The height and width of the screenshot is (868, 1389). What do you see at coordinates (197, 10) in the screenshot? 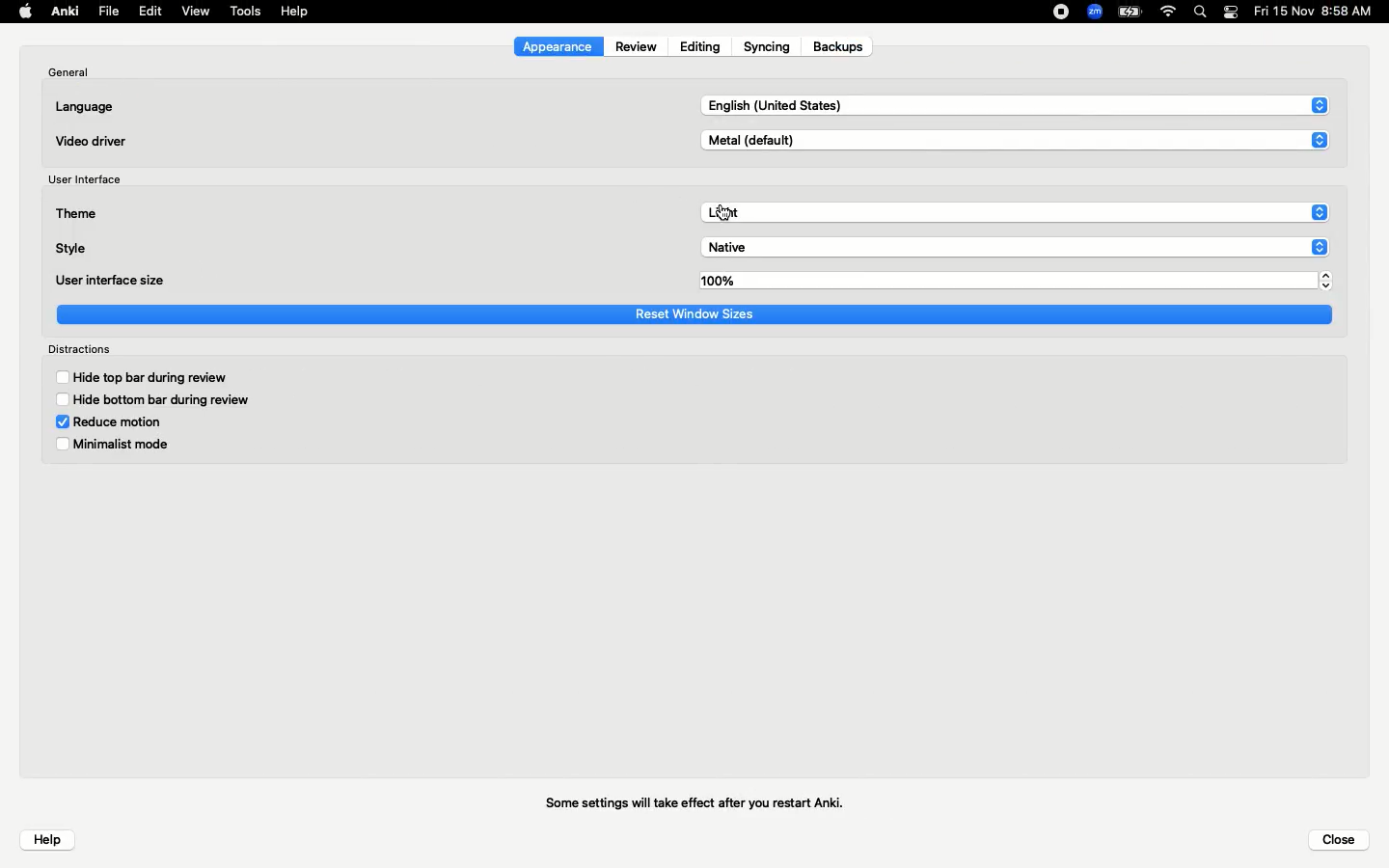
I see `View` at bounding box center [197, 10].